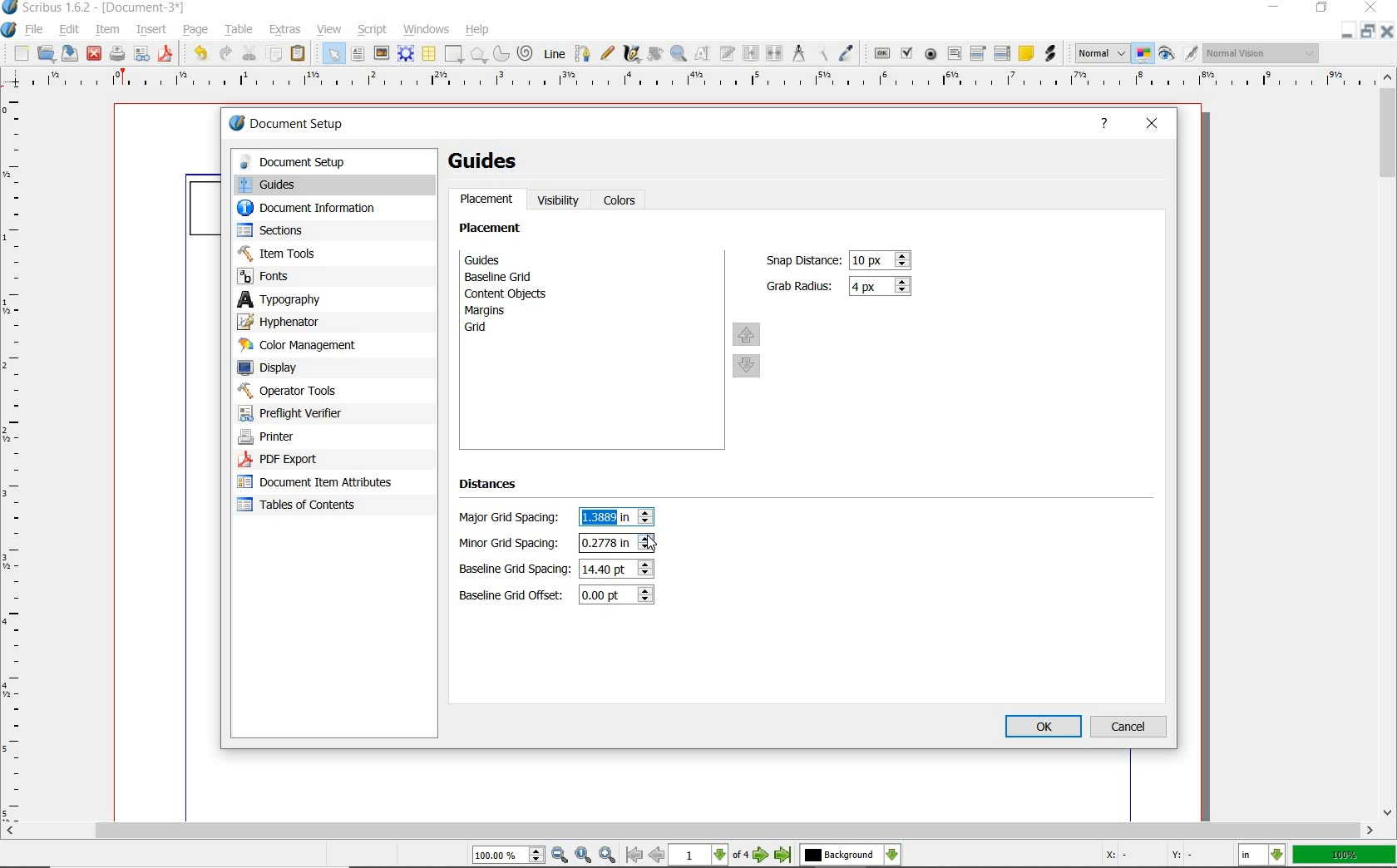 This screenshot has width=1397, height=868. What do you see at coordinates (634, 856) in the screenshot?
I see `go to first page` at bounding box center [634, 856].